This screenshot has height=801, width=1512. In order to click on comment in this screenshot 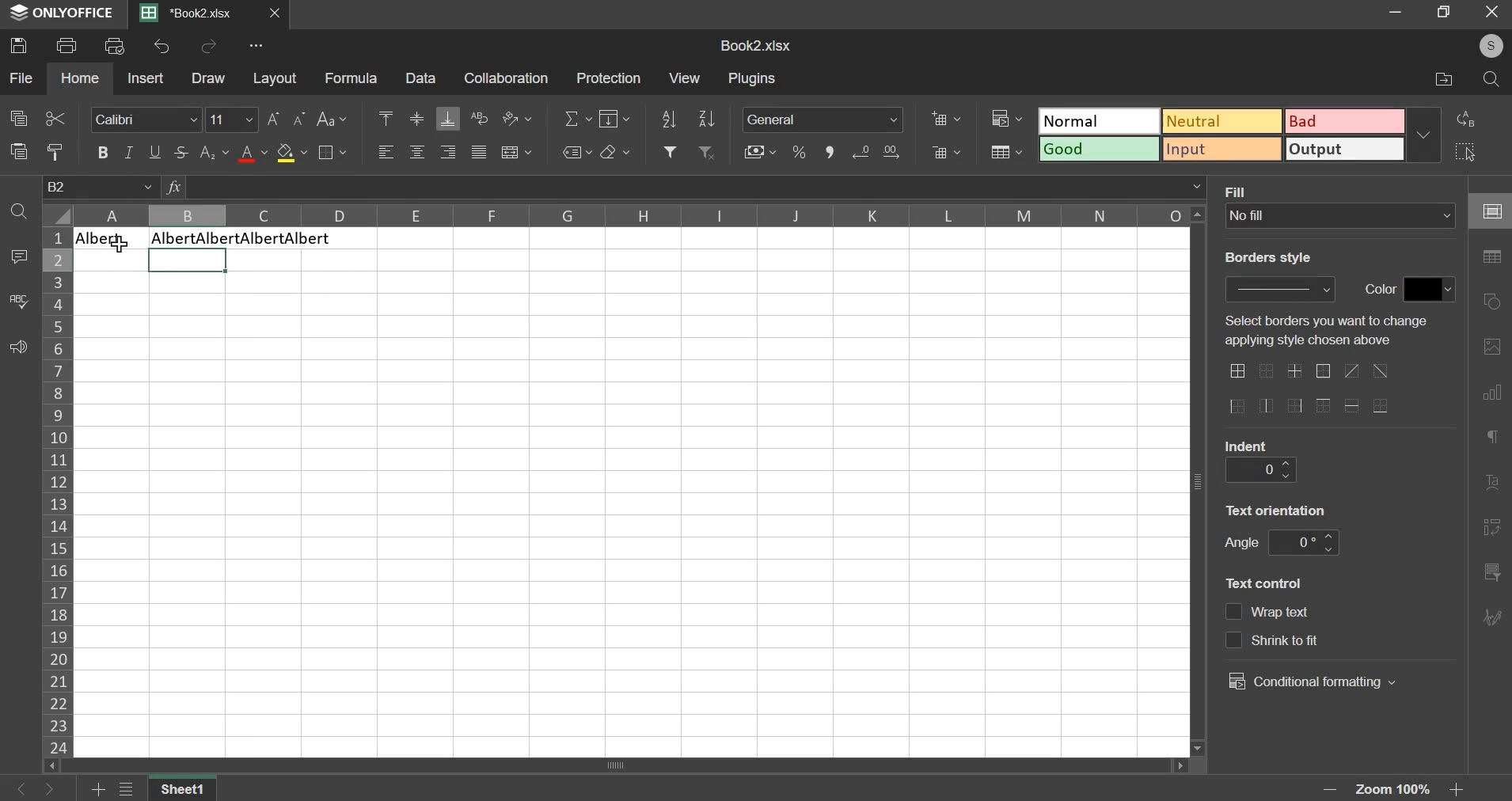, I will do `click(22, 255)`.